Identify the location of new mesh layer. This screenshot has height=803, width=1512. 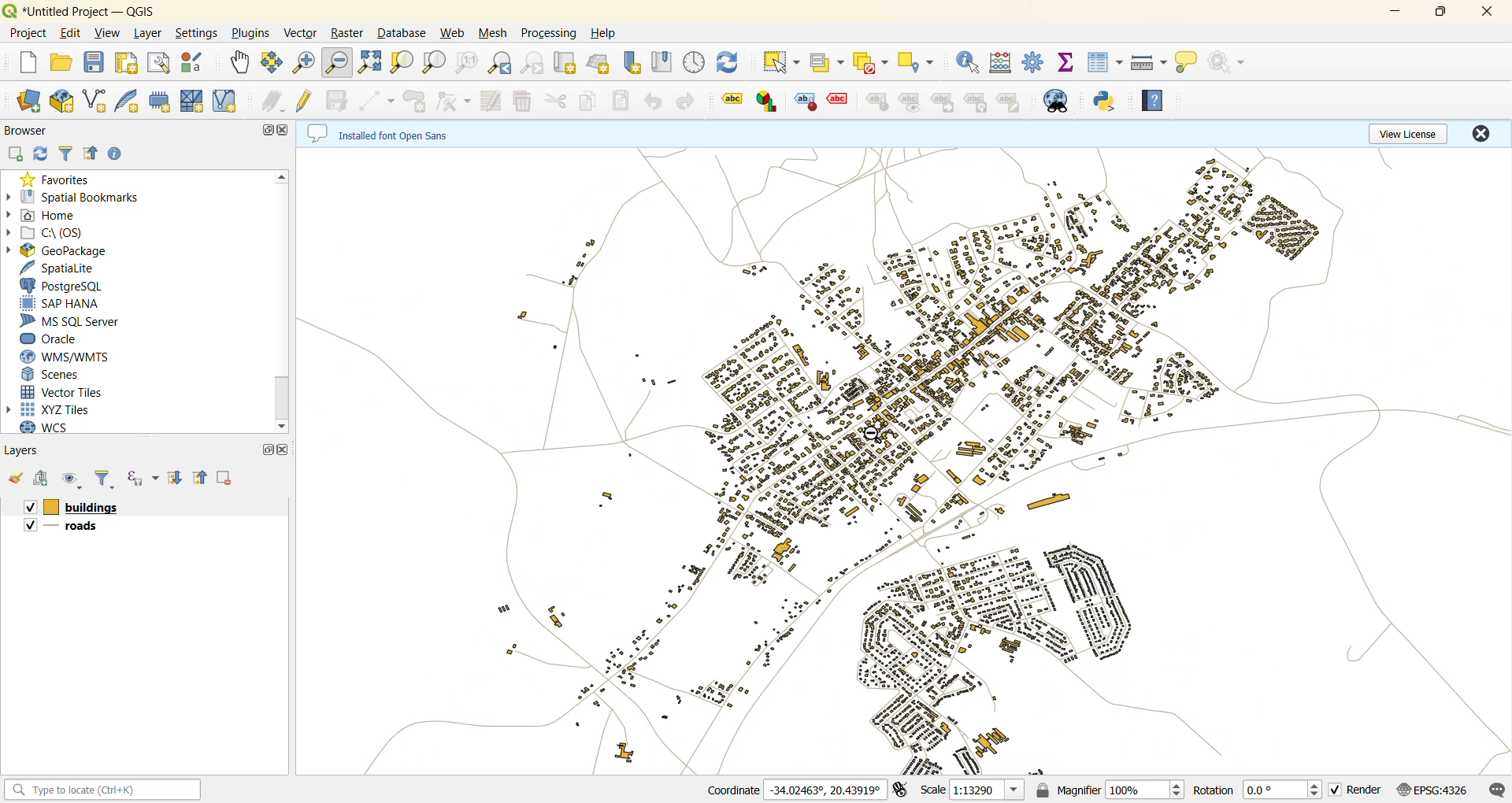
(195, 99).